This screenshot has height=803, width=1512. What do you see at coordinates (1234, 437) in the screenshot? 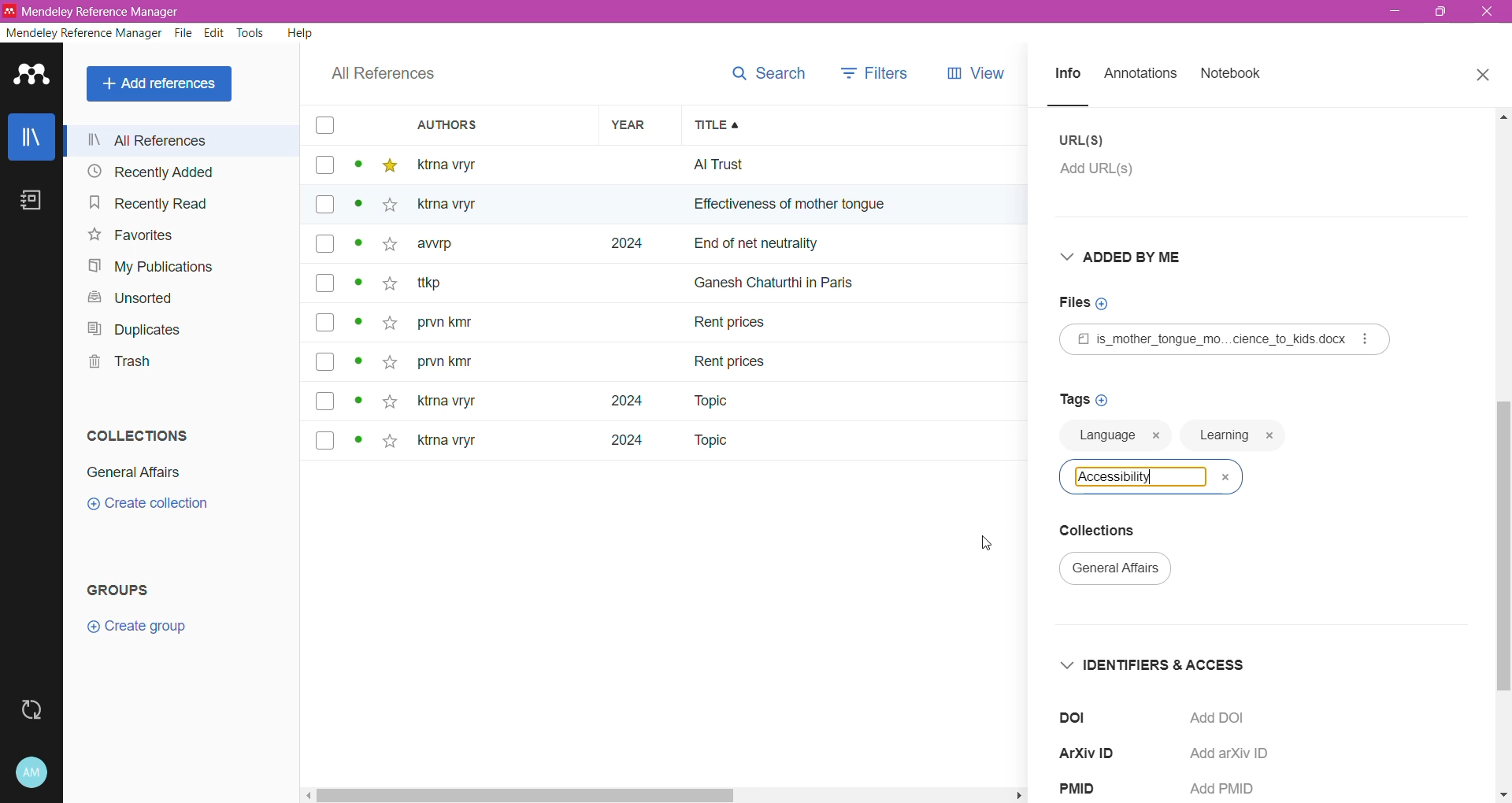
I see `Tag 2 added` at bounding box center [1234, 437].